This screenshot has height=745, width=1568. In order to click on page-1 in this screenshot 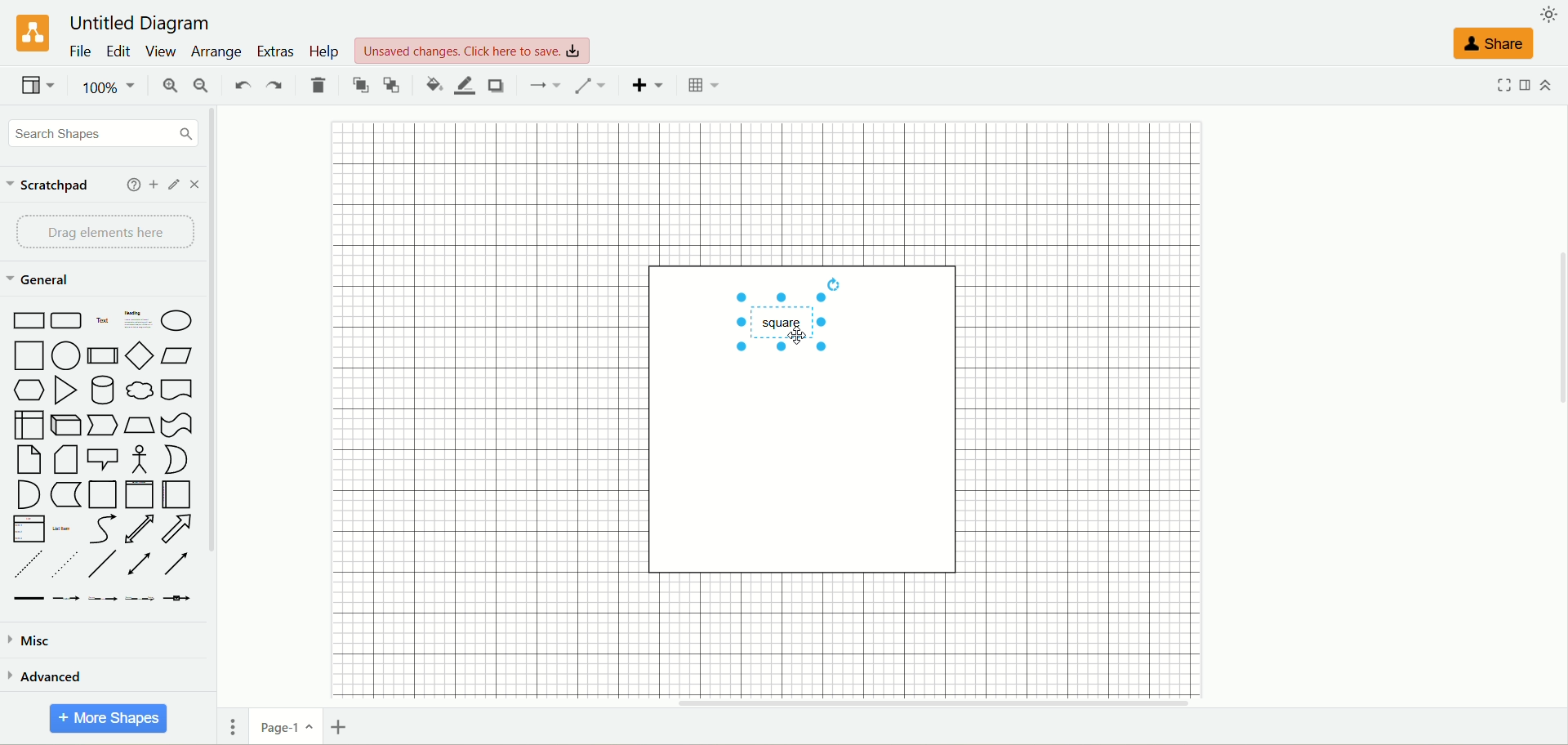, I will do `click(283, 727)`.